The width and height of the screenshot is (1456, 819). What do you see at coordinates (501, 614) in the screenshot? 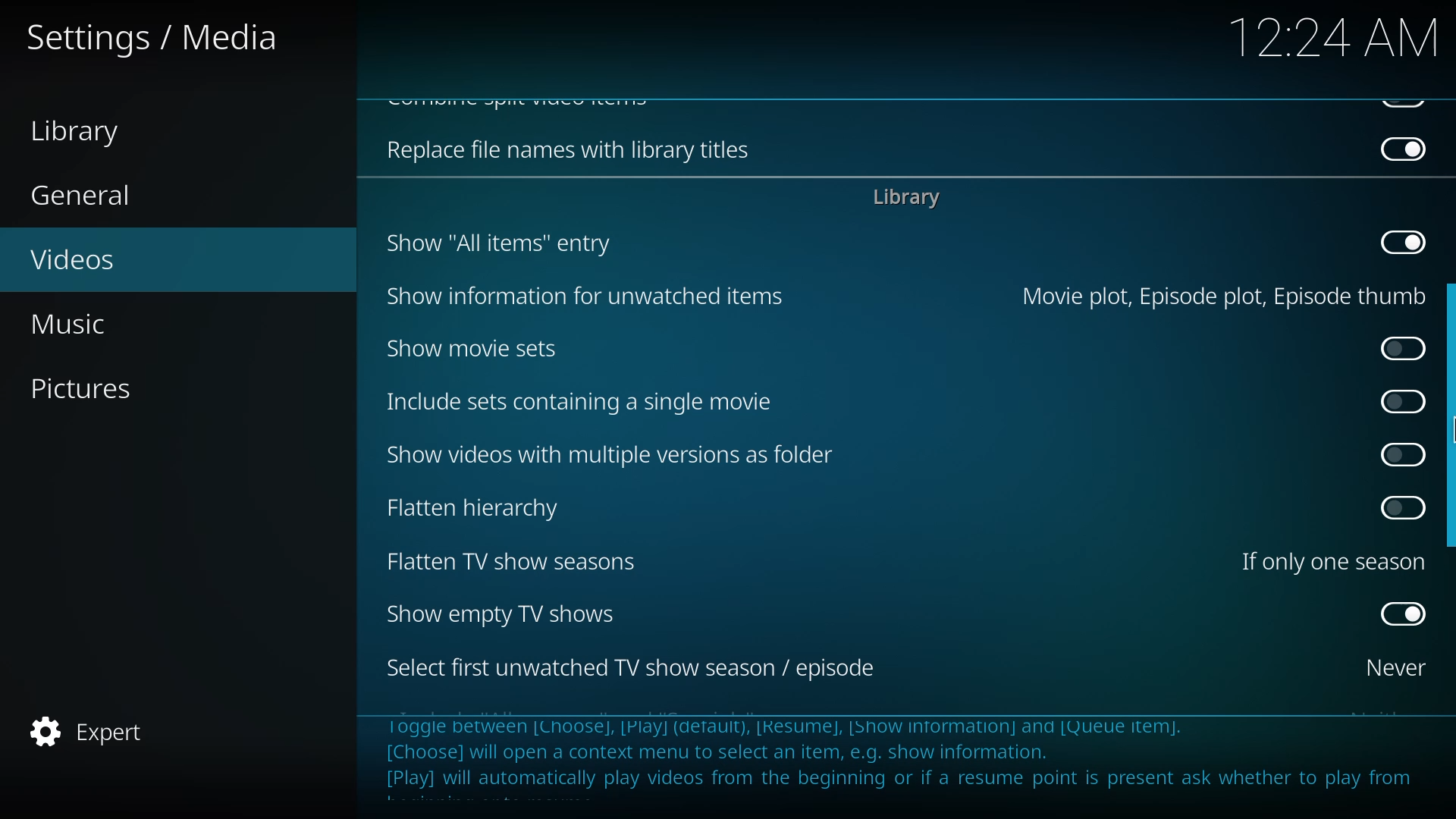
I see `show empty tv shows` at bounding box center [501, 614].